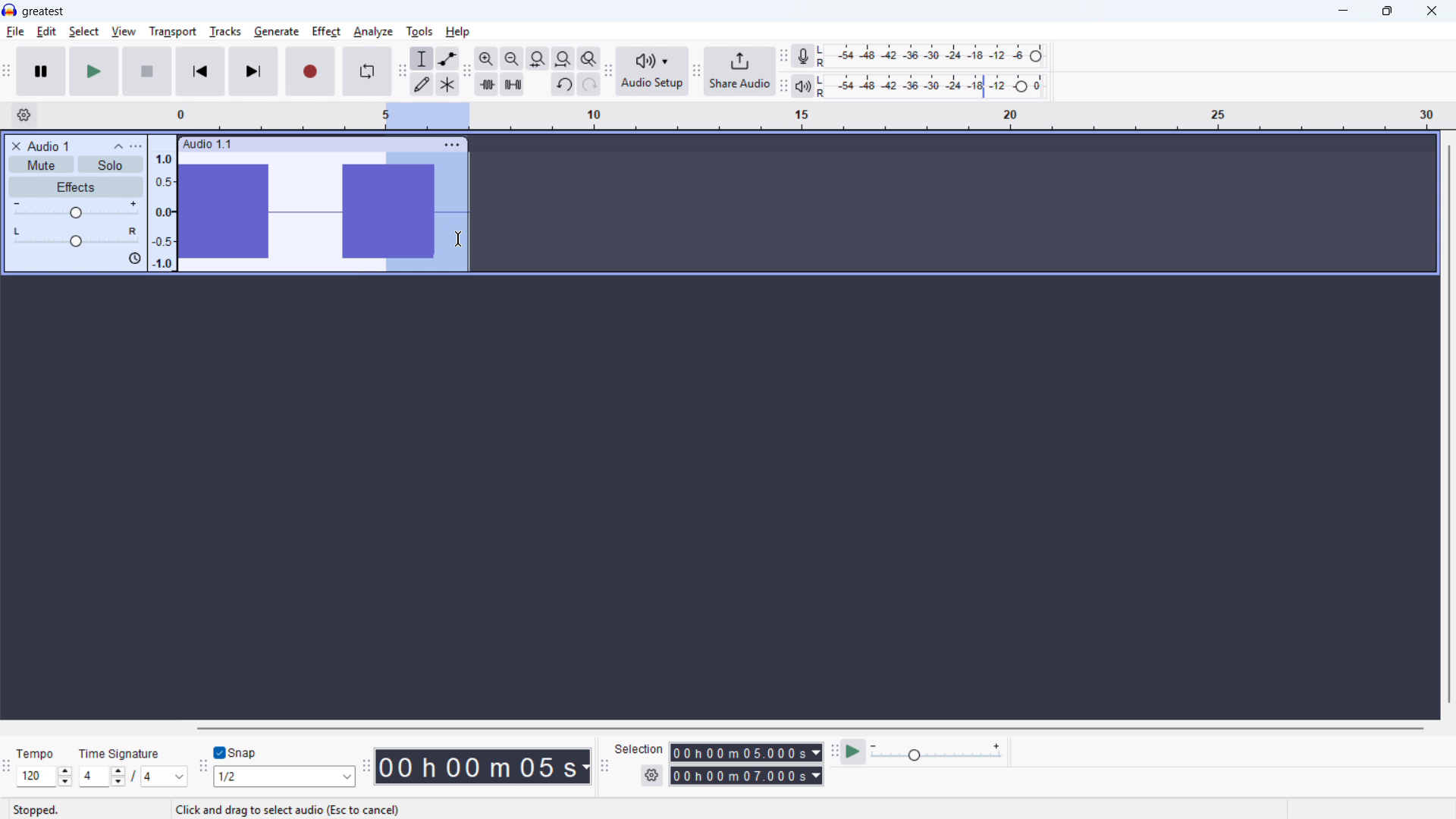 Image resolution: width=1456 pixels, height=819 pixels. Describe the element at coordinates (134, 777) in the screenshot. I see `Set time signature ` at that location.